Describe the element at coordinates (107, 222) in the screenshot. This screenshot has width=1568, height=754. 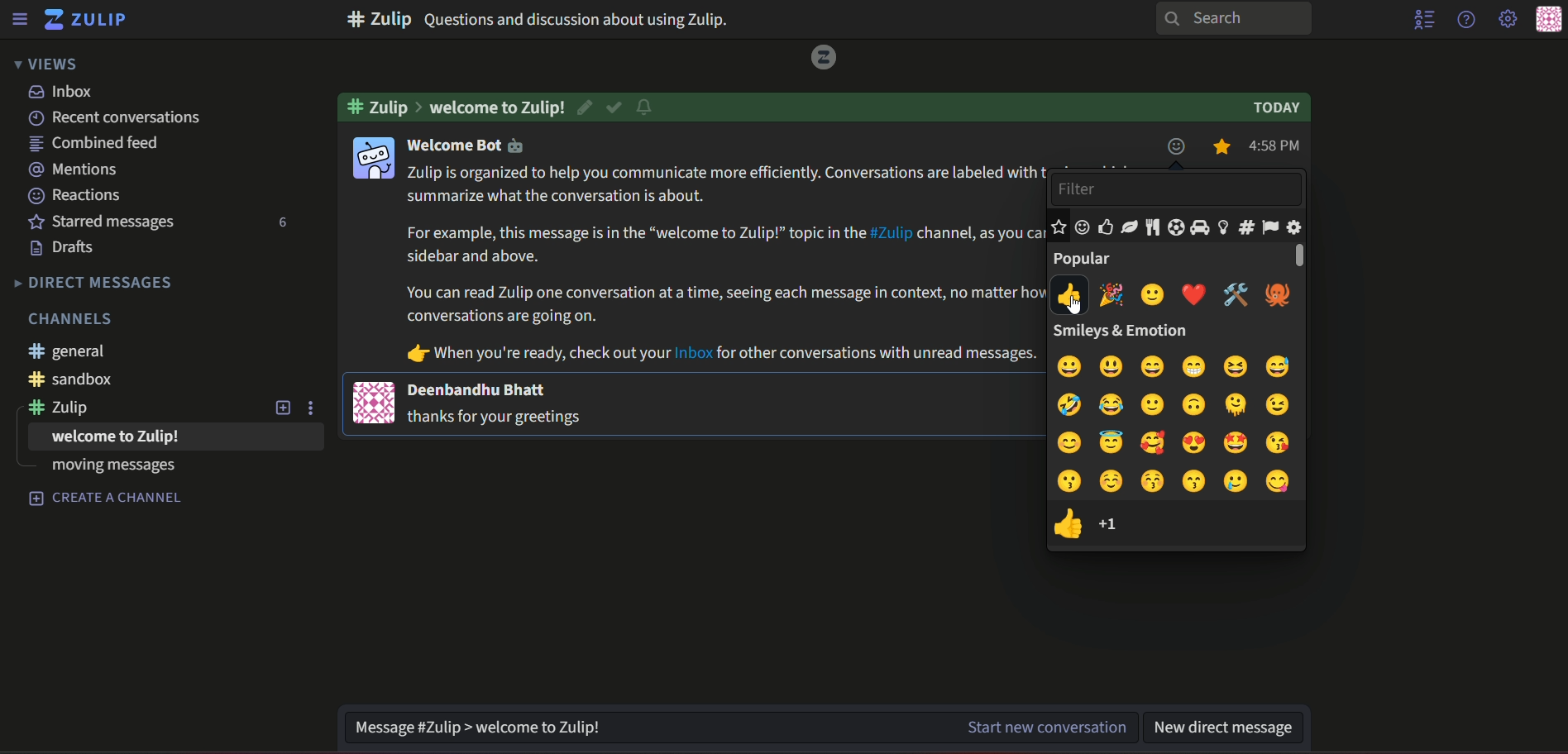
I see `Starred Messages` at that location.